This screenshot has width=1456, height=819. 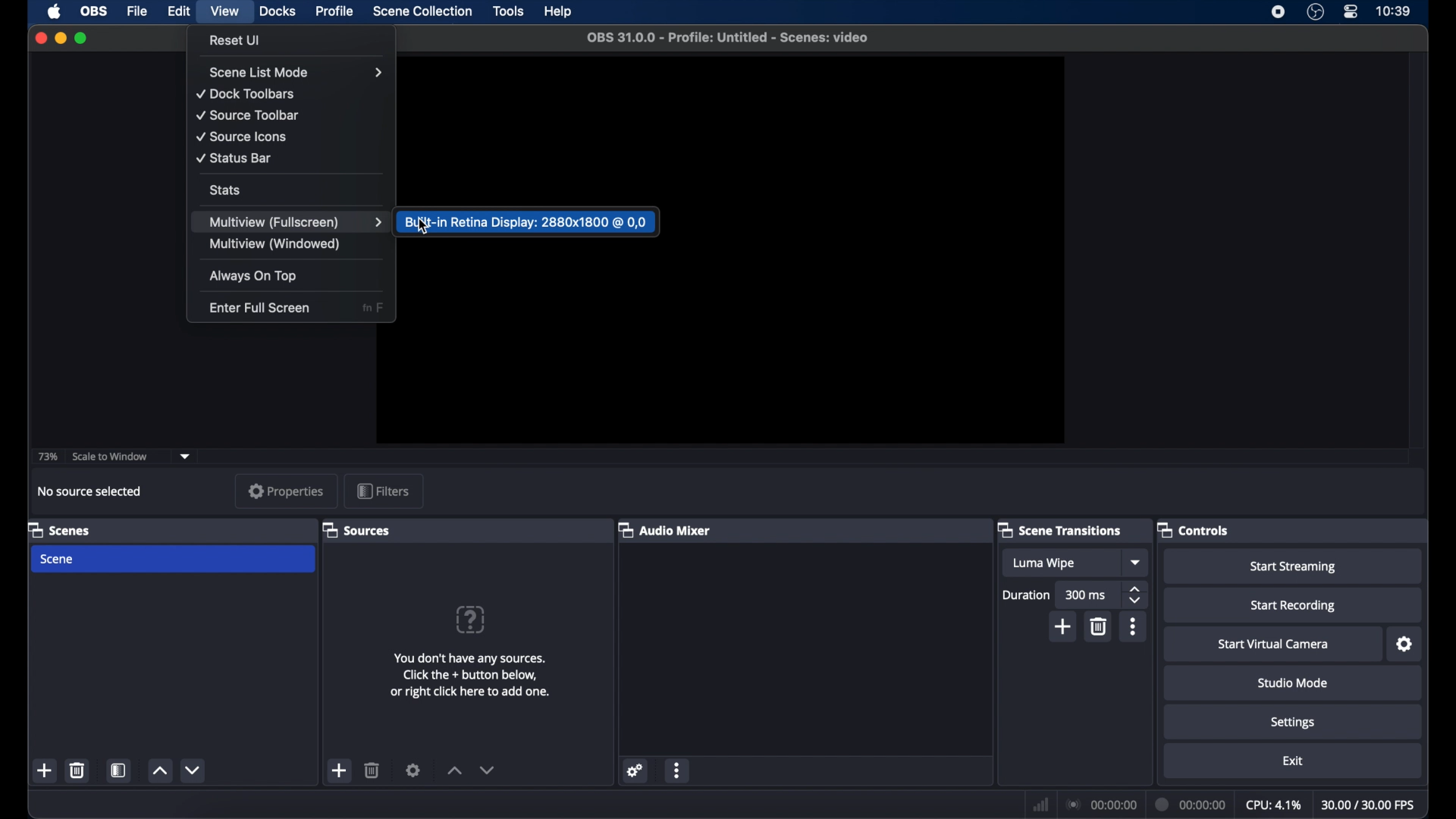 What do you see at coordinates (1295, 682) in the screenshot?
I see `studio mode` at bounding box center [1295, 682].